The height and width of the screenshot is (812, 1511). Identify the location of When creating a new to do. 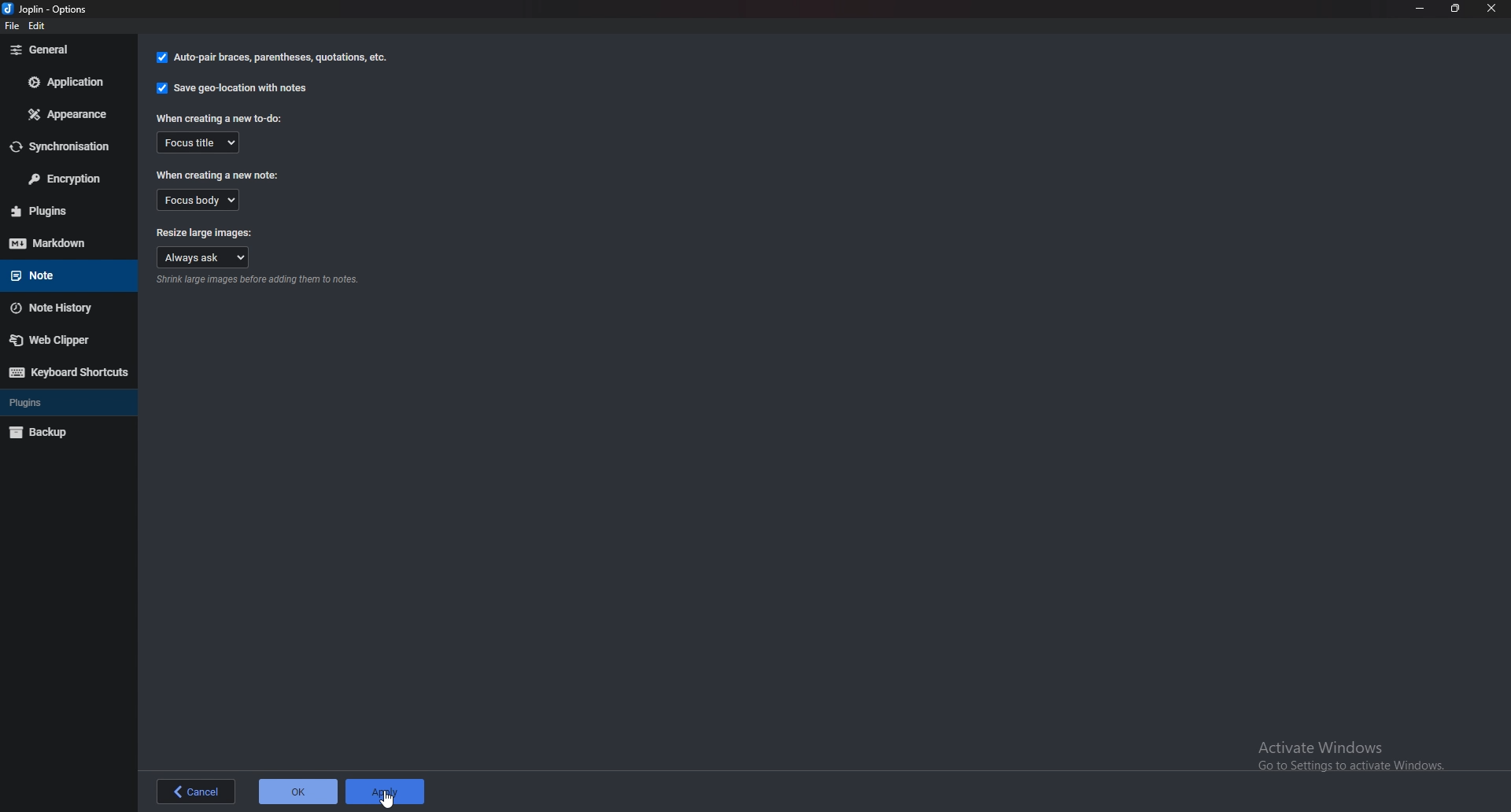
(218, 118).